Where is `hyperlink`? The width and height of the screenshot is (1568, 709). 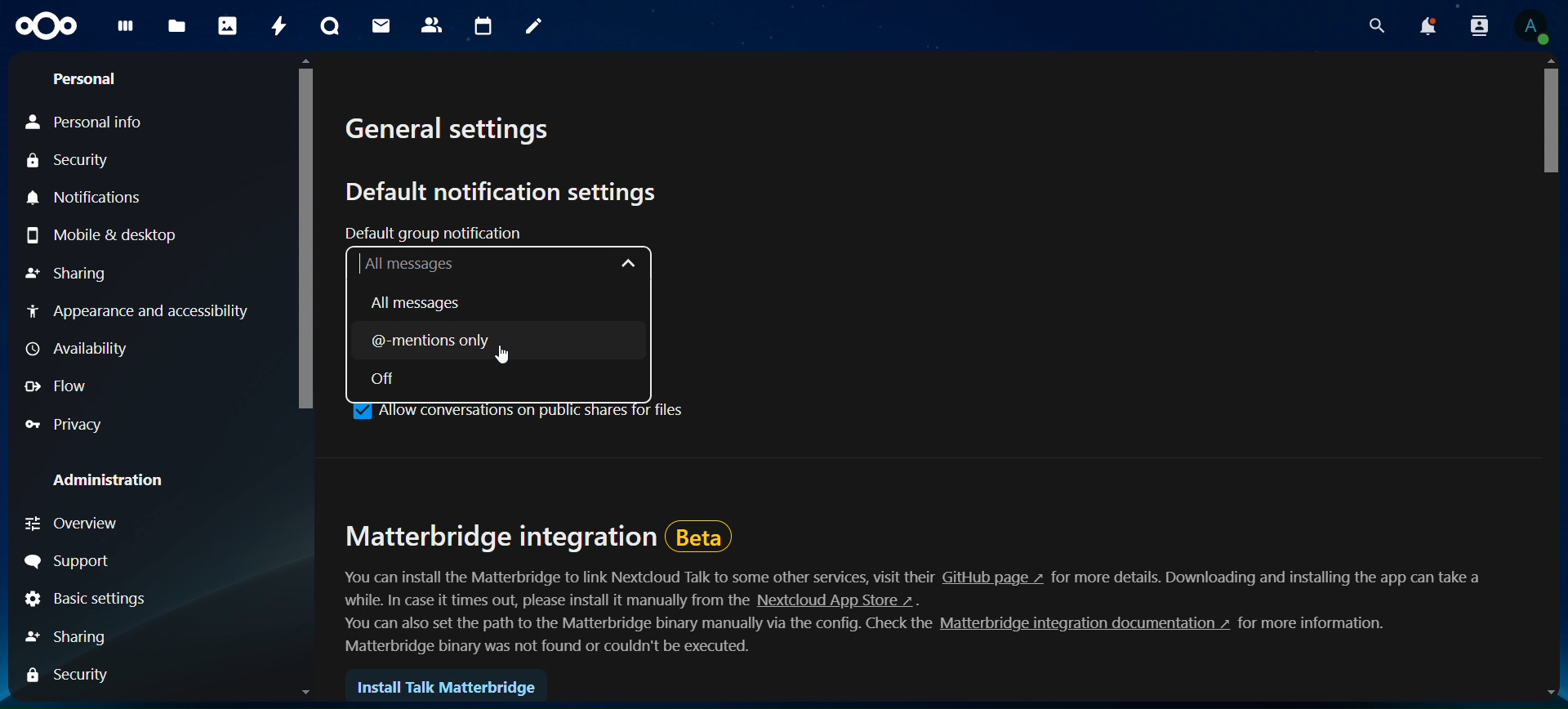 hyperlink is located at coordinates (993, 577).